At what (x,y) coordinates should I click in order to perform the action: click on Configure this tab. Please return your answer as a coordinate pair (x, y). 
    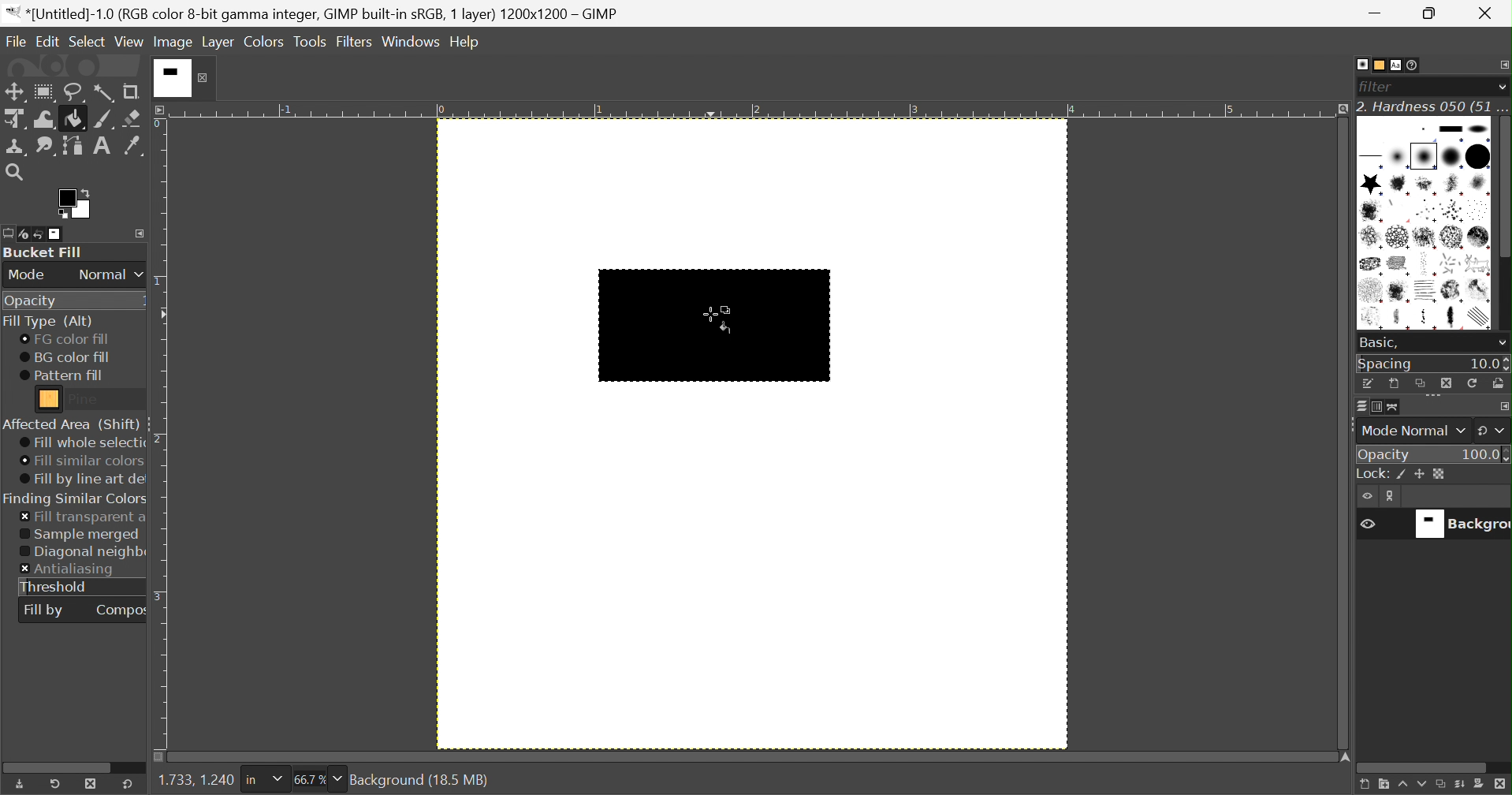
    Looking at the image, I should click on (140, 233).